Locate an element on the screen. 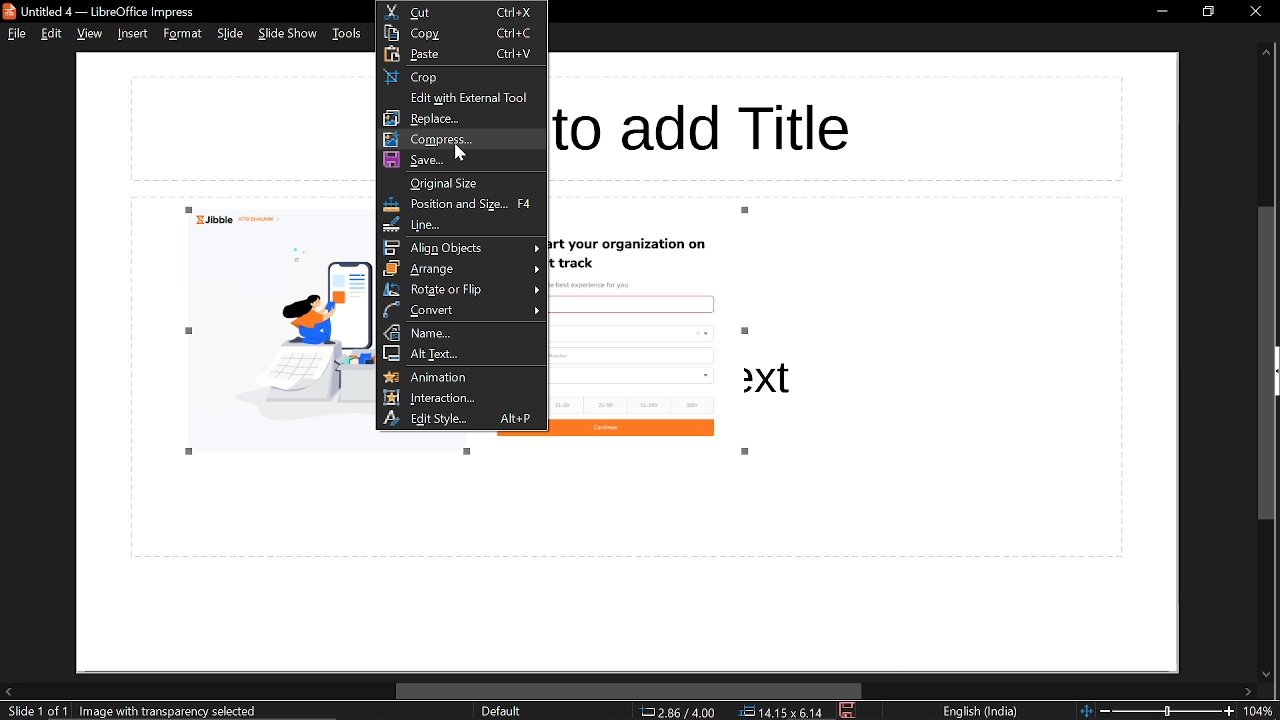 The height and width of the screenshot is (720, 1280). slide show is located at coordinates (288, 34).